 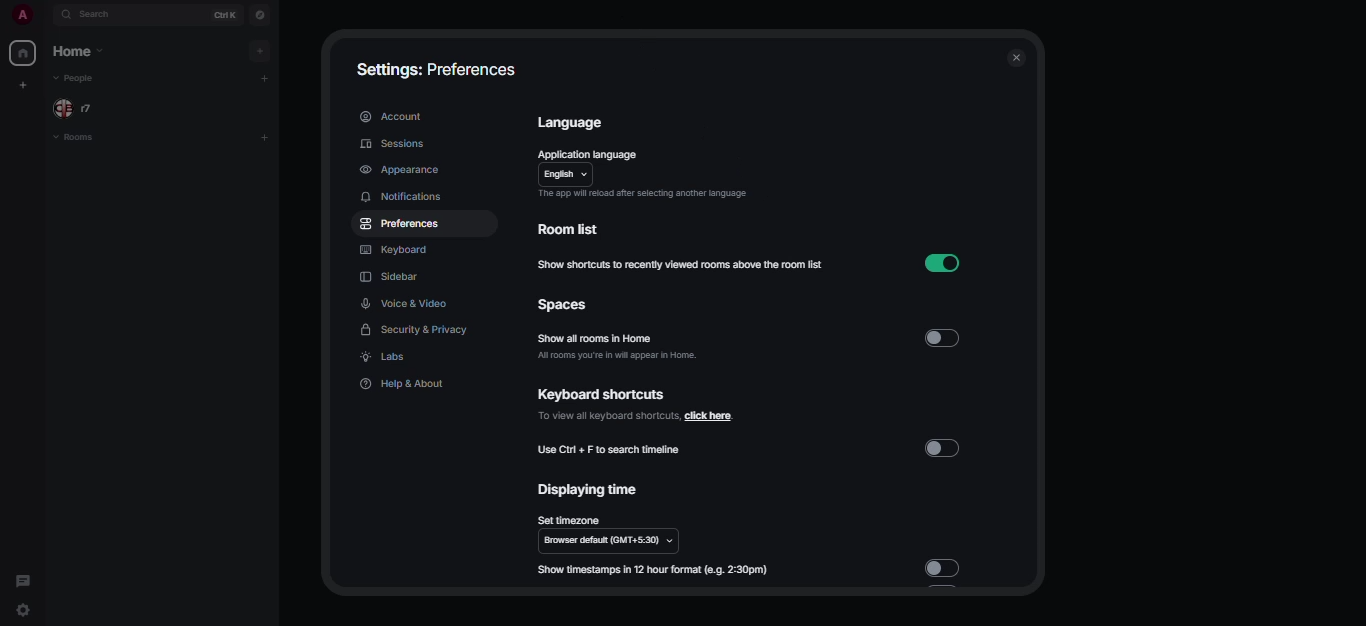 I want to click on ctrl K, so click(x=225, y=14).